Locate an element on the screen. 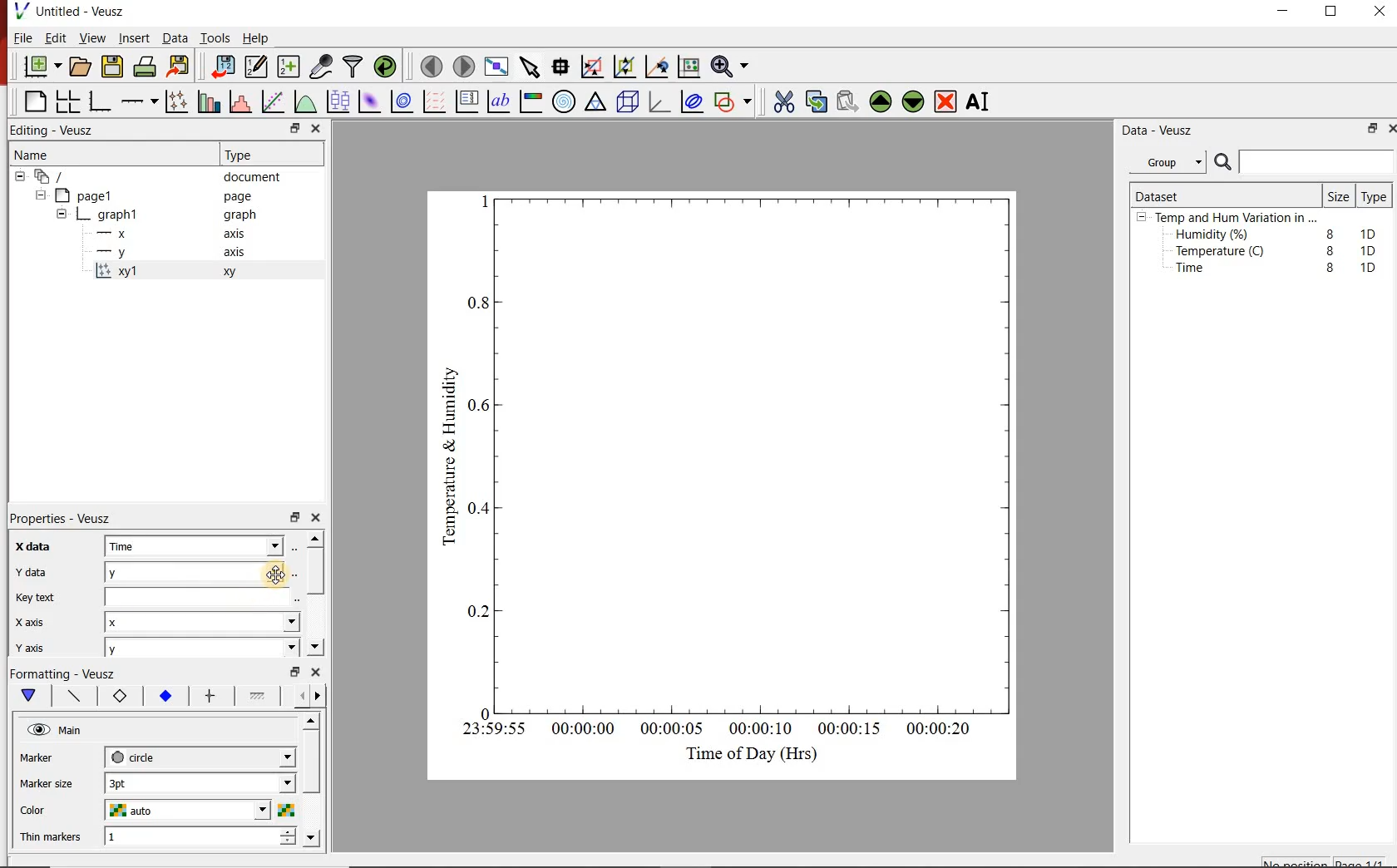  Edit and enter new datasets is located at coordinates (257, 67).